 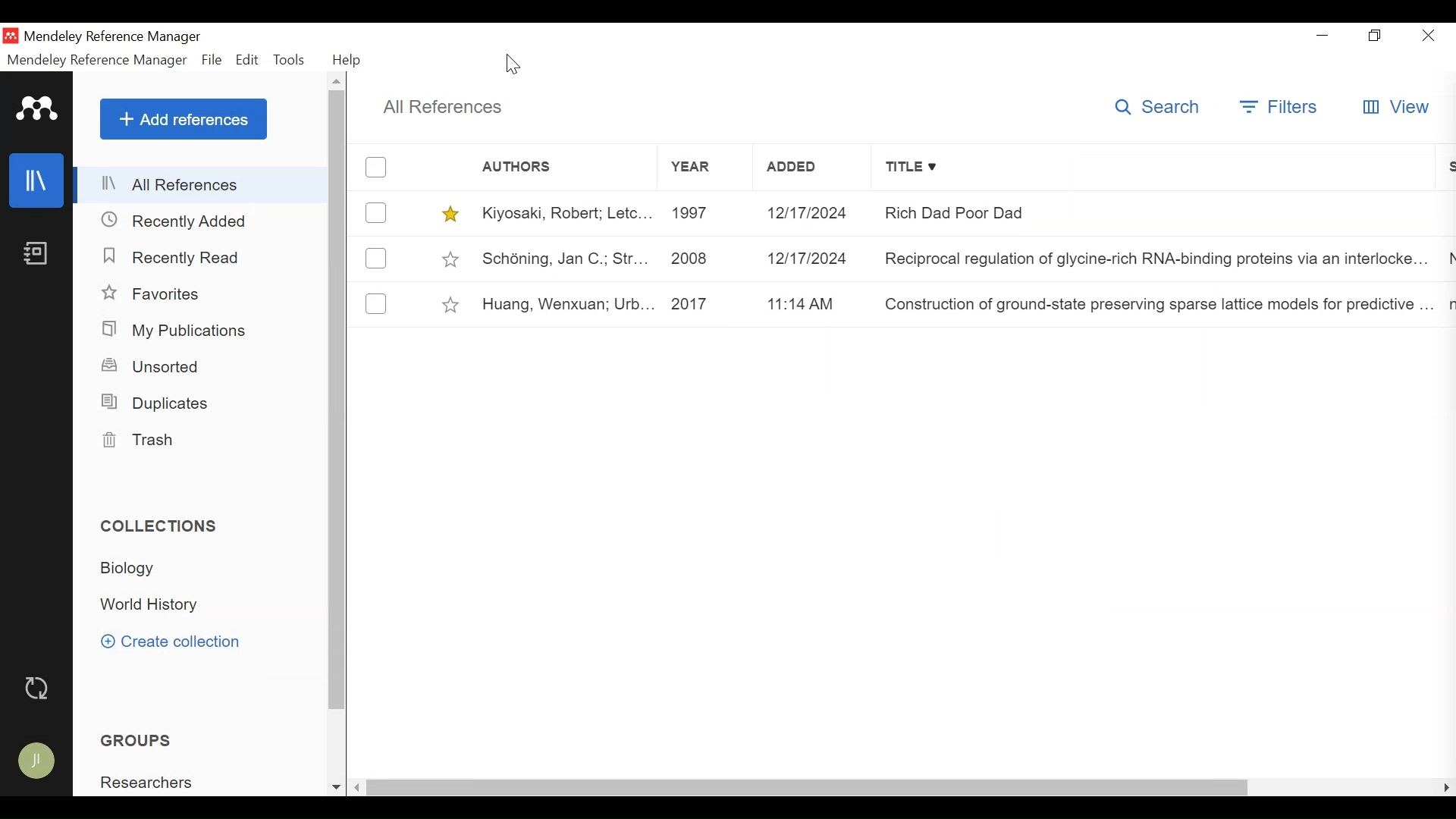 I want to click on Mendeley logo, so click(x=37, y=108).